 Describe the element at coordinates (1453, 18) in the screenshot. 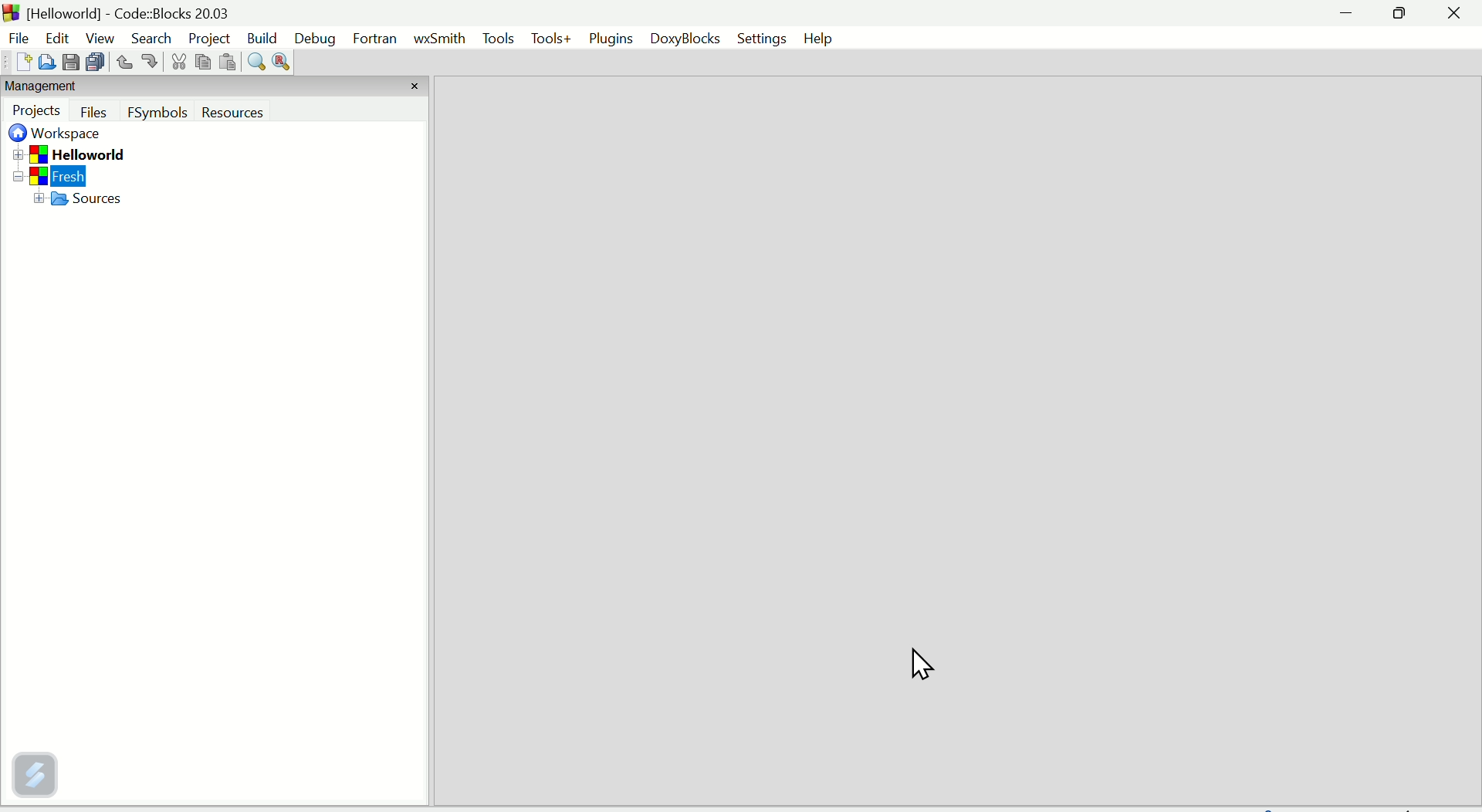

I see `Close` at that location.